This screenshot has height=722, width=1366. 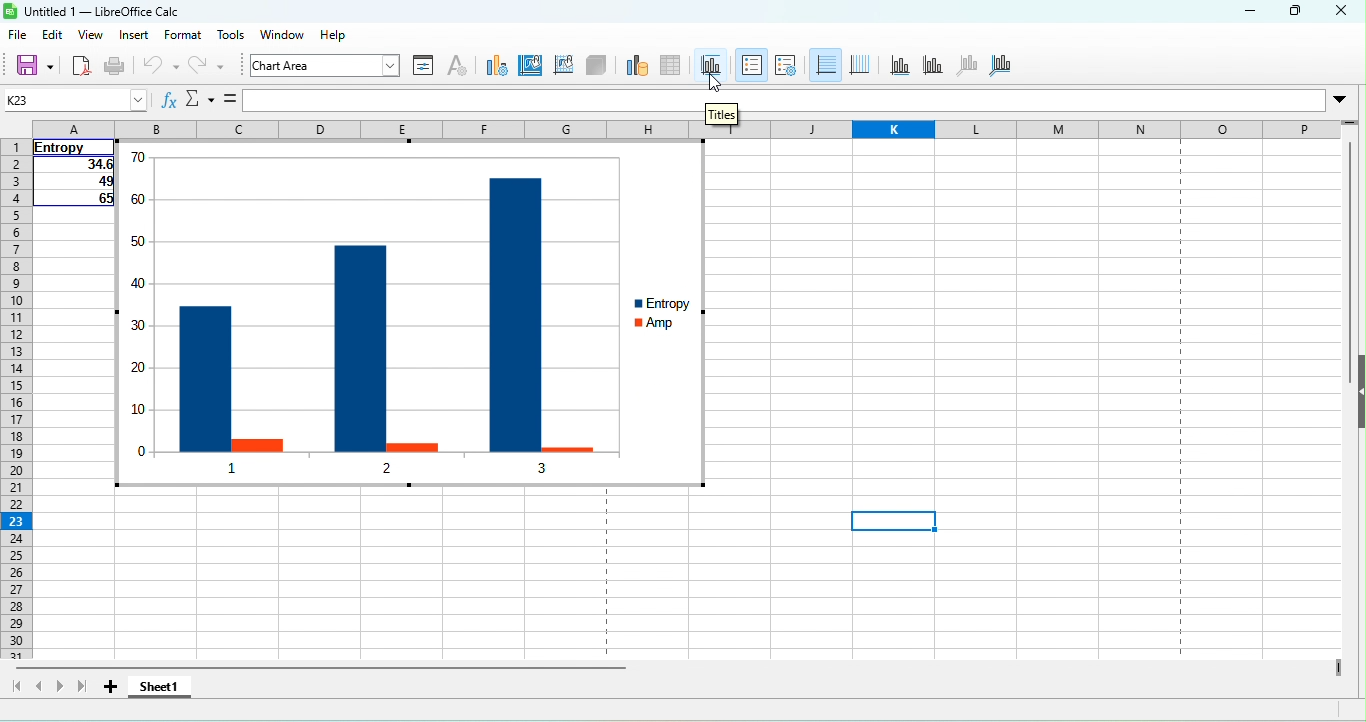 What do you see at coordinates (674, 67) in the screenshot?
I see `data table` at bounding box center [674, 67].